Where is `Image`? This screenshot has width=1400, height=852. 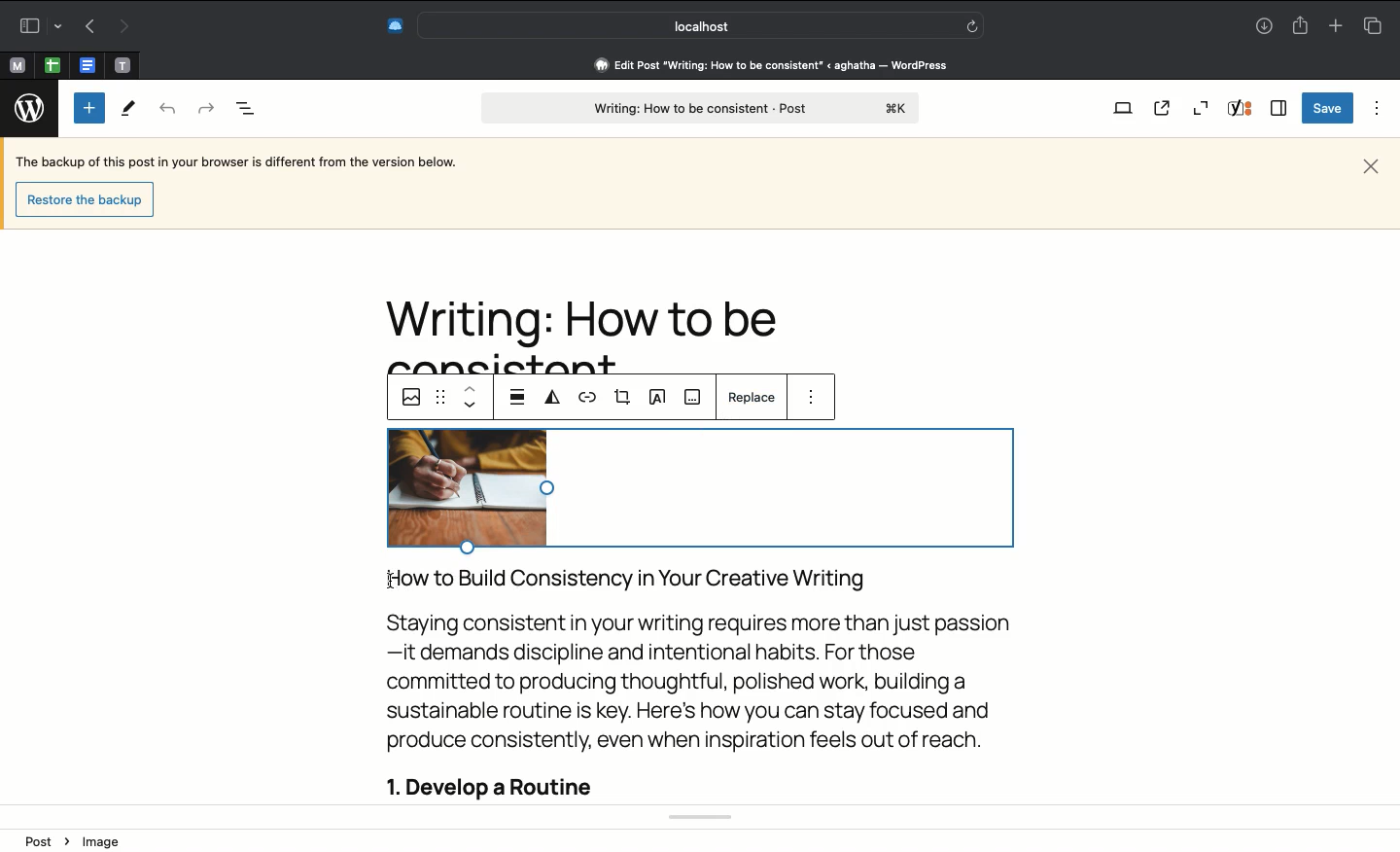 Image is located at coordinates (105, 839).